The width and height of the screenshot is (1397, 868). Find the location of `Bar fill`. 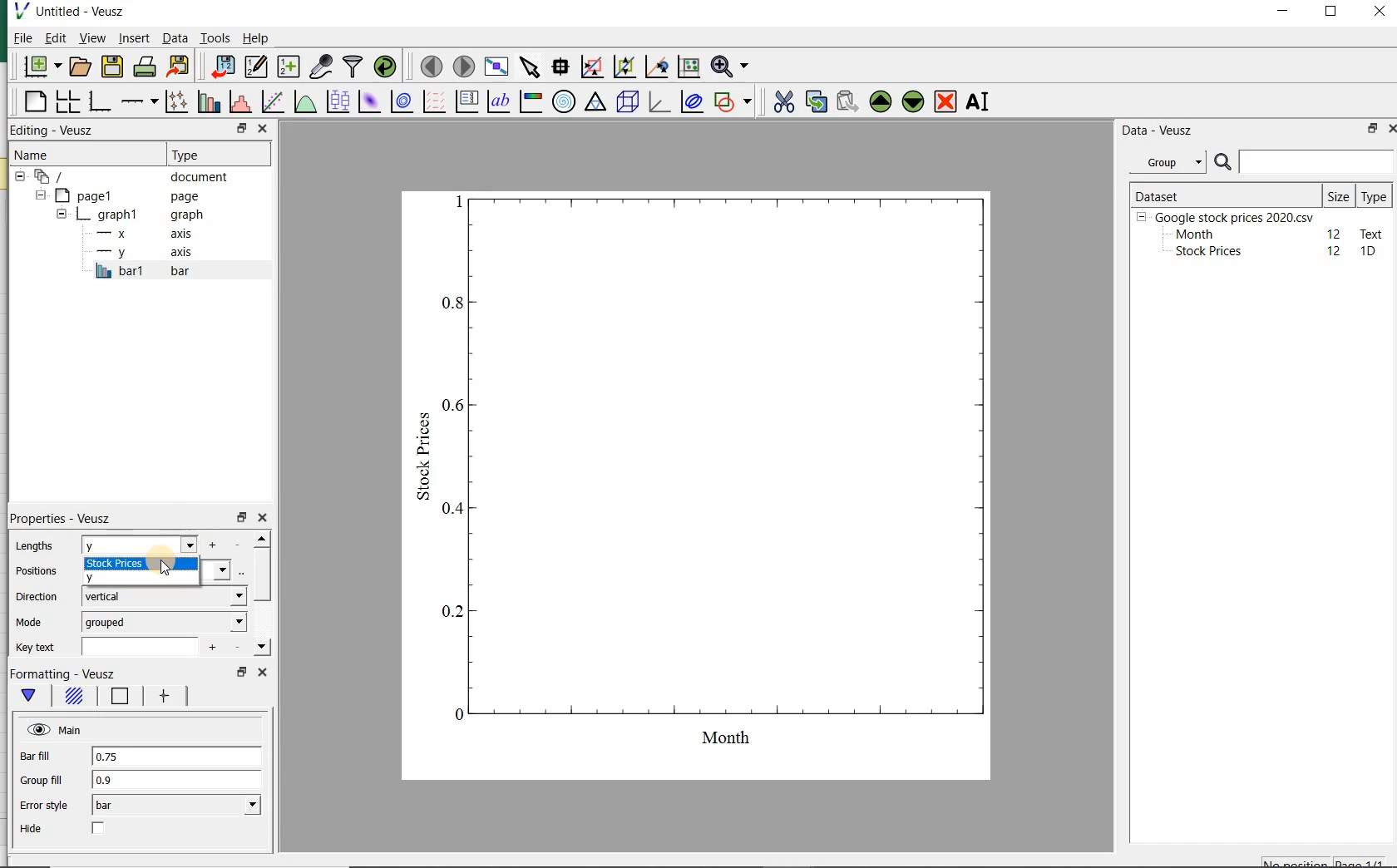

Bar fill is located at coordinates (36, 757).